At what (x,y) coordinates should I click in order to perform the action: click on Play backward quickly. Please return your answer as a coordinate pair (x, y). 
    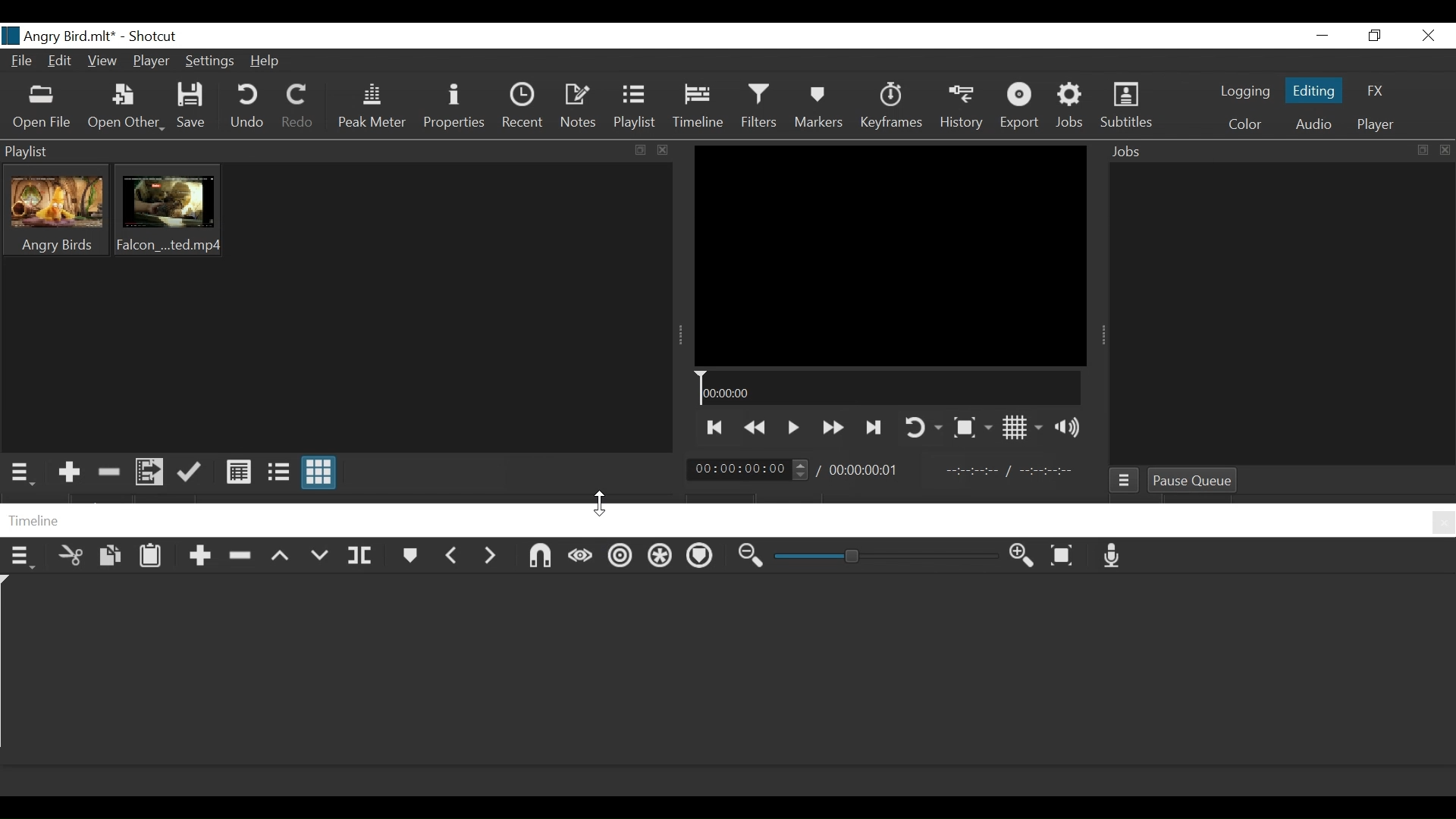
    Looking at the image, I should click on (754, 426).